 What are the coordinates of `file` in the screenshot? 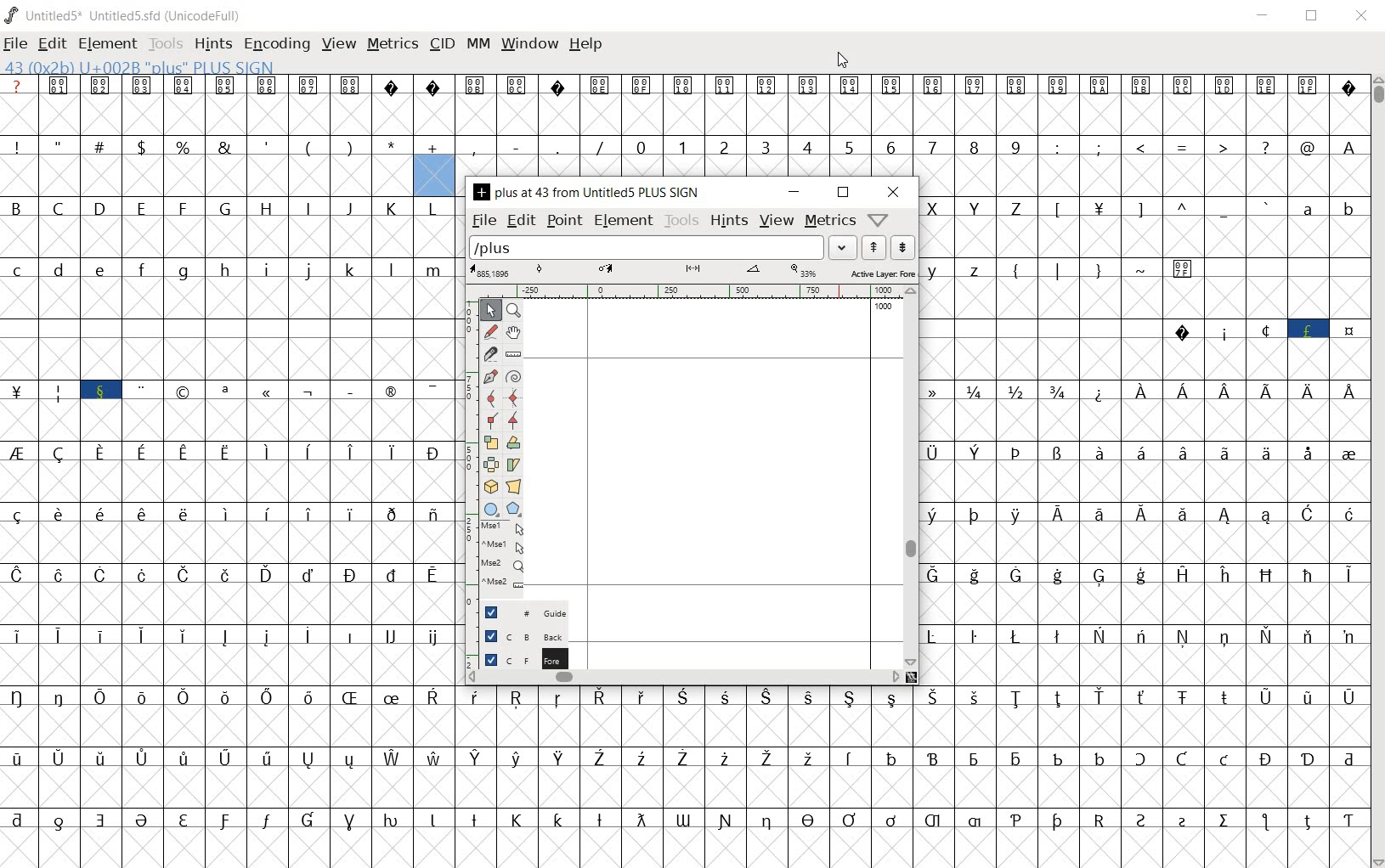 It's located at (16, 43).